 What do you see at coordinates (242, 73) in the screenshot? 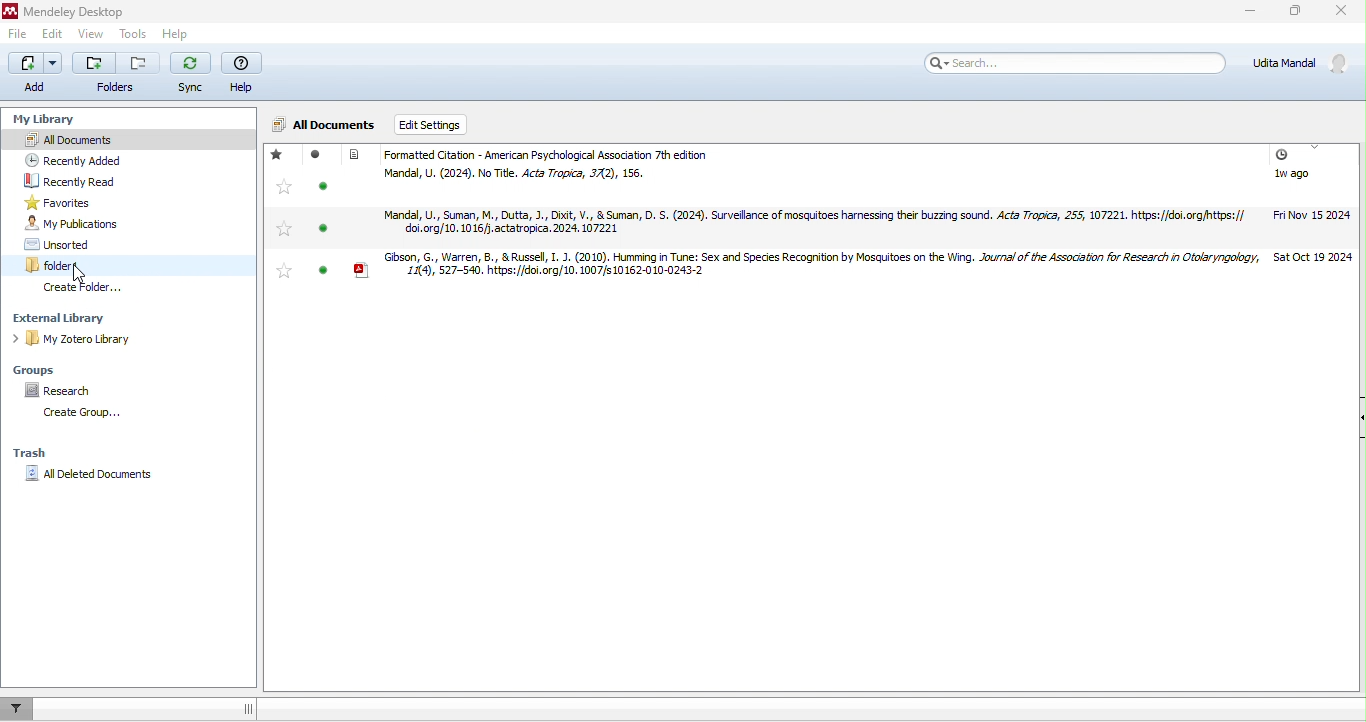
I see `help` at bounding box center [242, 73].